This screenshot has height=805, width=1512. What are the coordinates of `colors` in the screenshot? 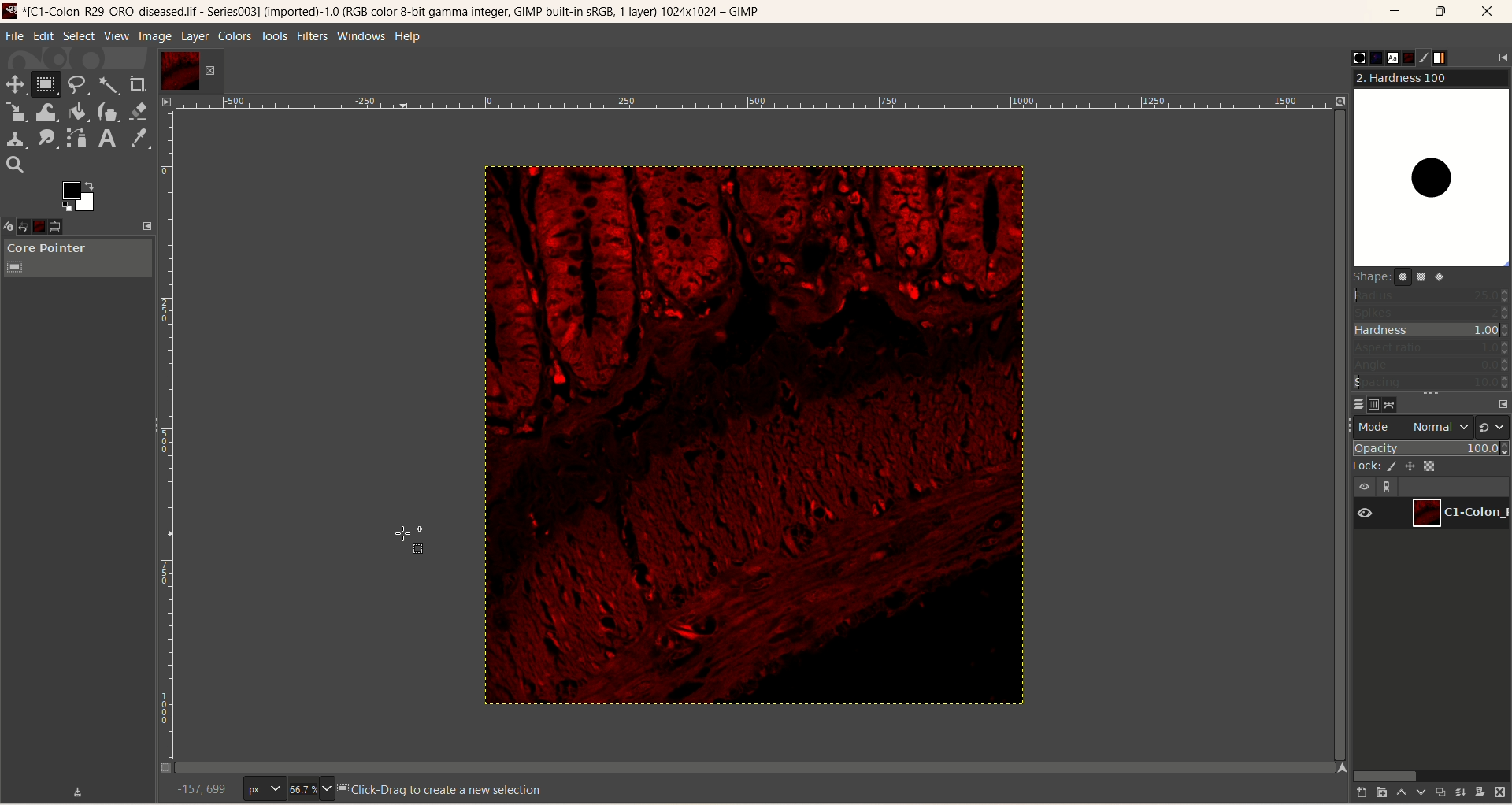 It's located at (236, 36).